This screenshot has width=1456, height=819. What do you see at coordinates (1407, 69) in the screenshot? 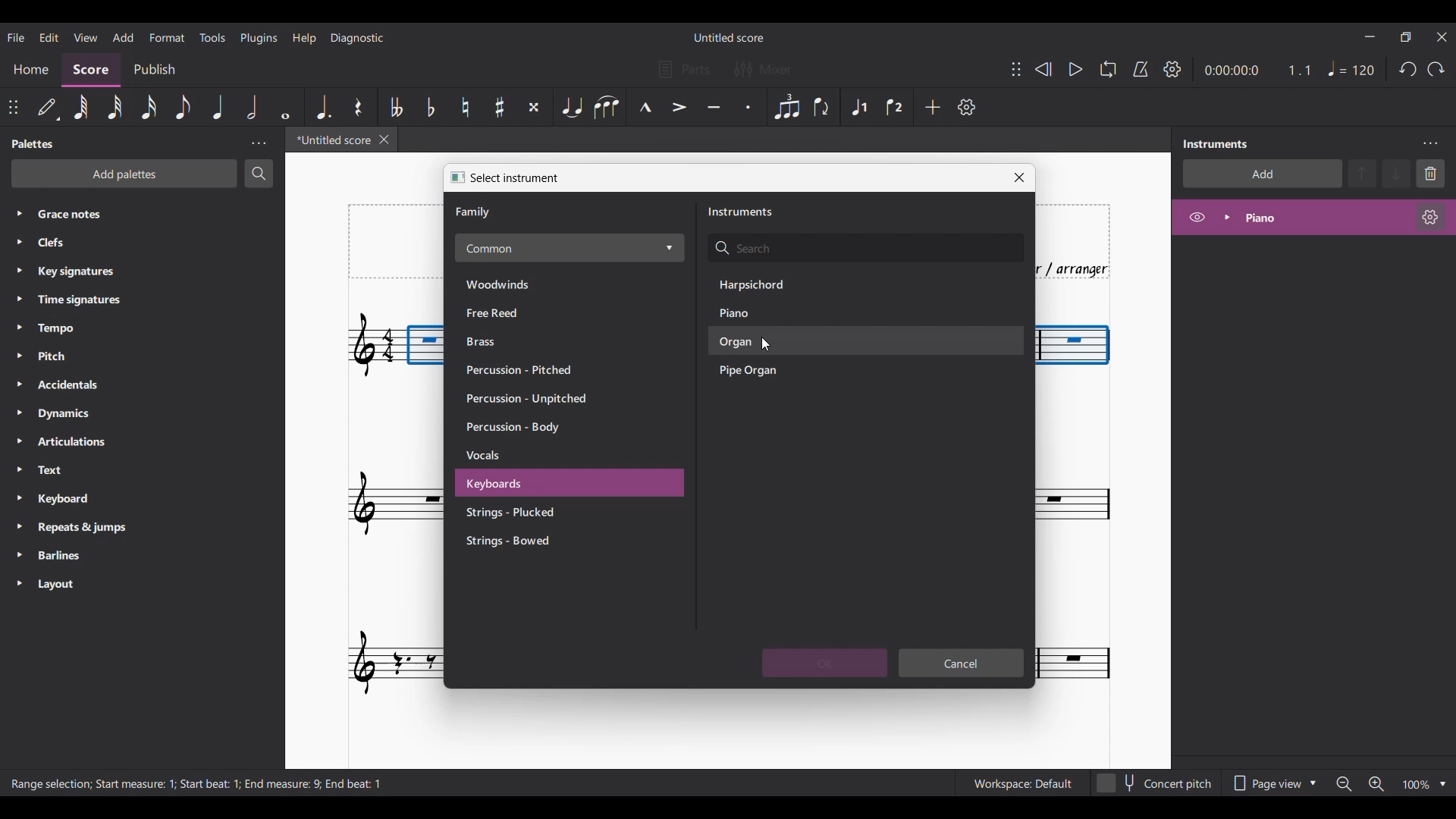
I see `Undo` at bounding box center [1407, 69].